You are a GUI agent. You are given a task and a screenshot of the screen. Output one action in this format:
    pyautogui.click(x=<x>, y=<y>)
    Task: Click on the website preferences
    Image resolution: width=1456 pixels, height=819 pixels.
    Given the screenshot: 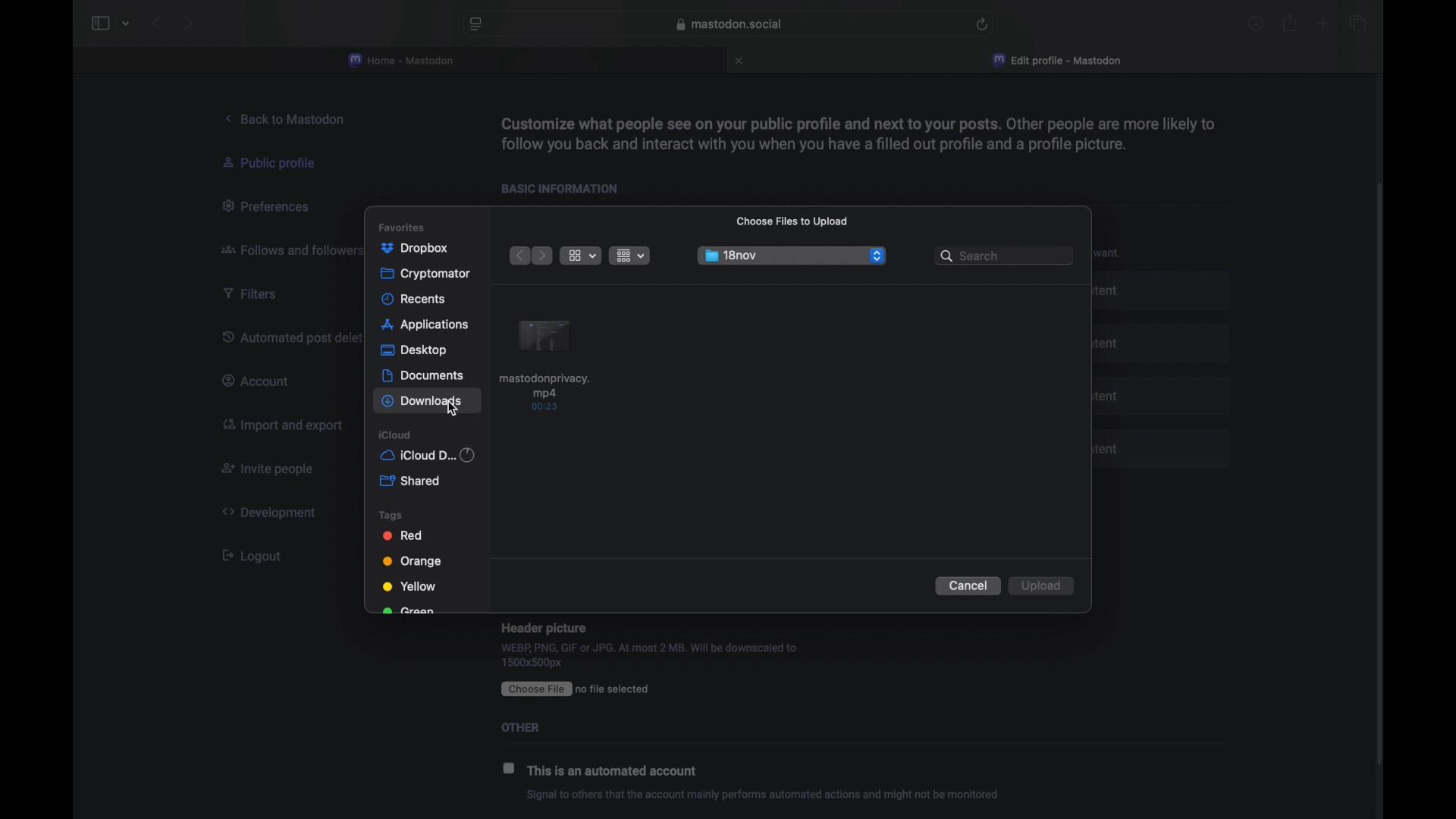 What is the action you would take?
    pyautogui.click(x=475, y=25)
    